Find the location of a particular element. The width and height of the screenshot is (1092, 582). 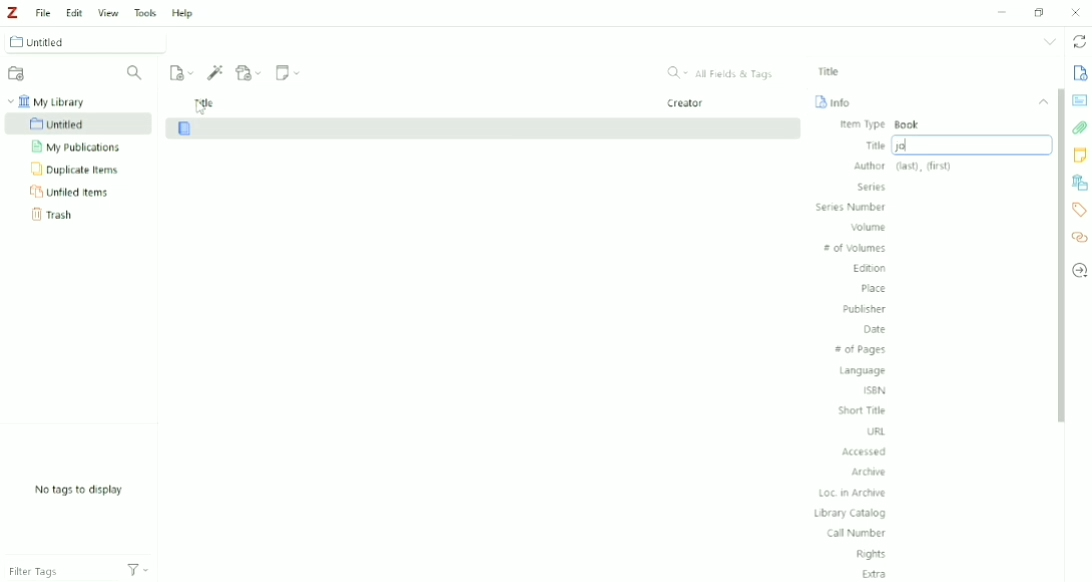

No tags to display is located at coordinates (79, 490).